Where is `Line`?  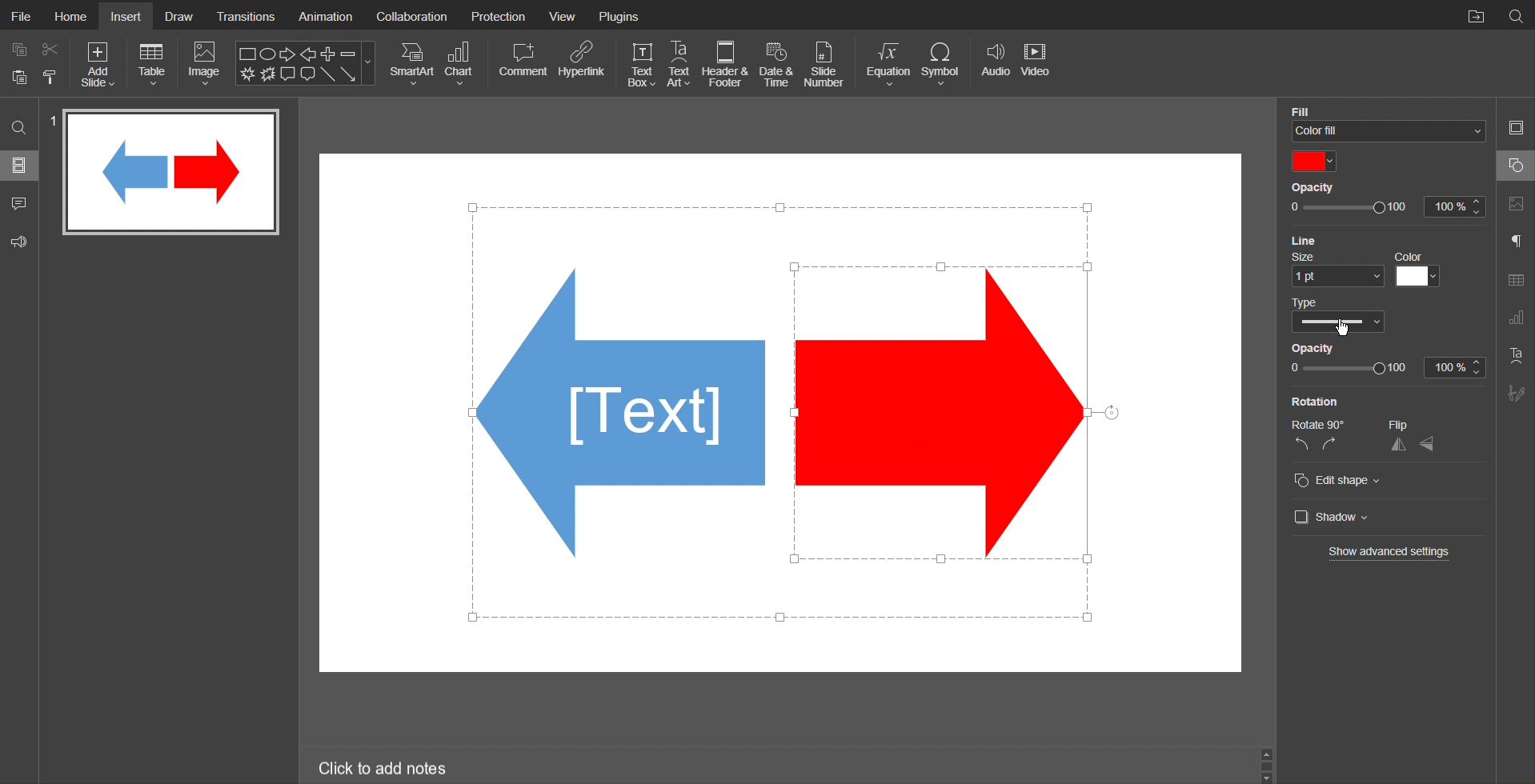
Line is located at coordinates (1339, 240).